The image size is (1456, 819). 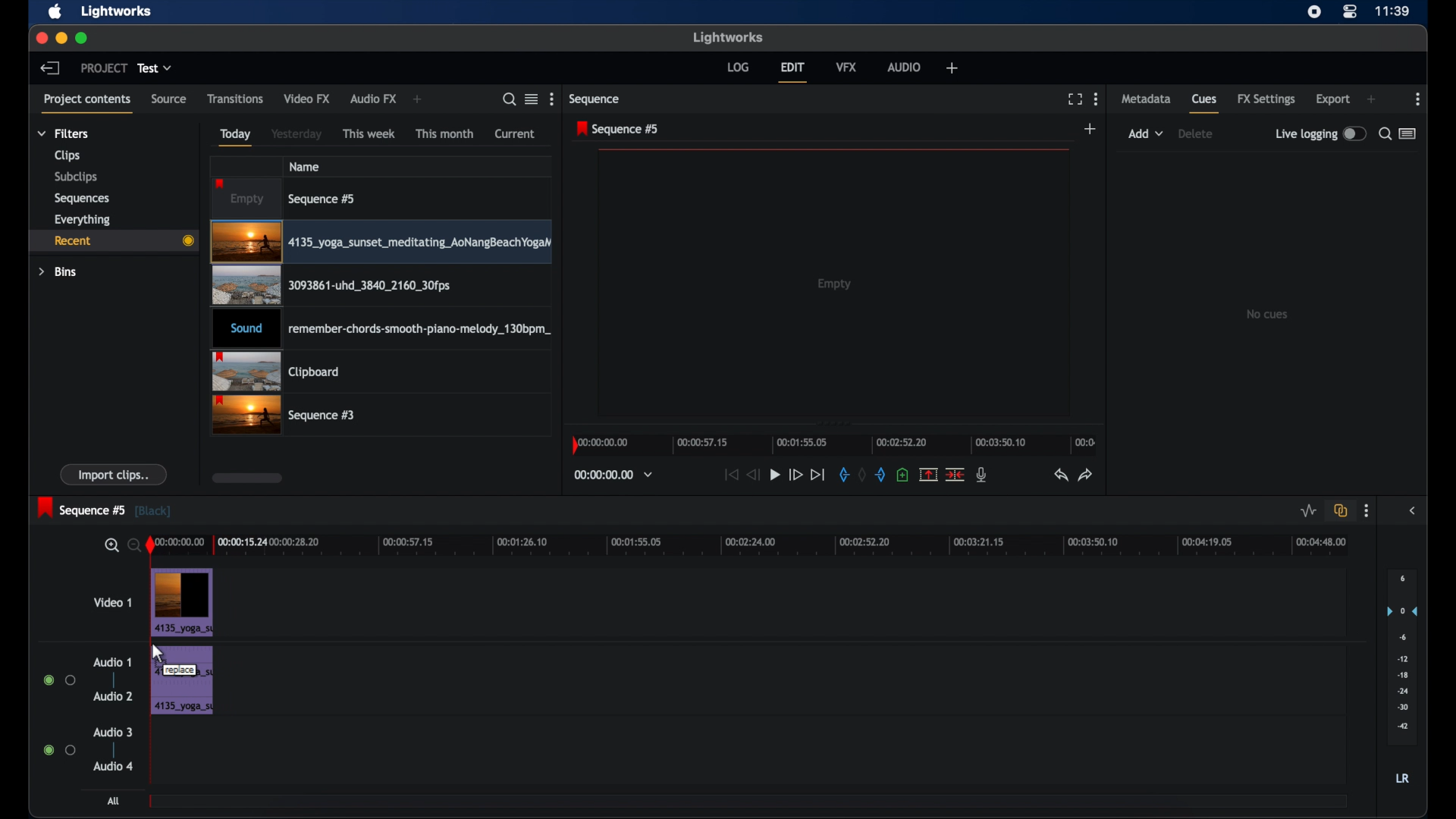 I want to click on all, so click(x=113, y=801).